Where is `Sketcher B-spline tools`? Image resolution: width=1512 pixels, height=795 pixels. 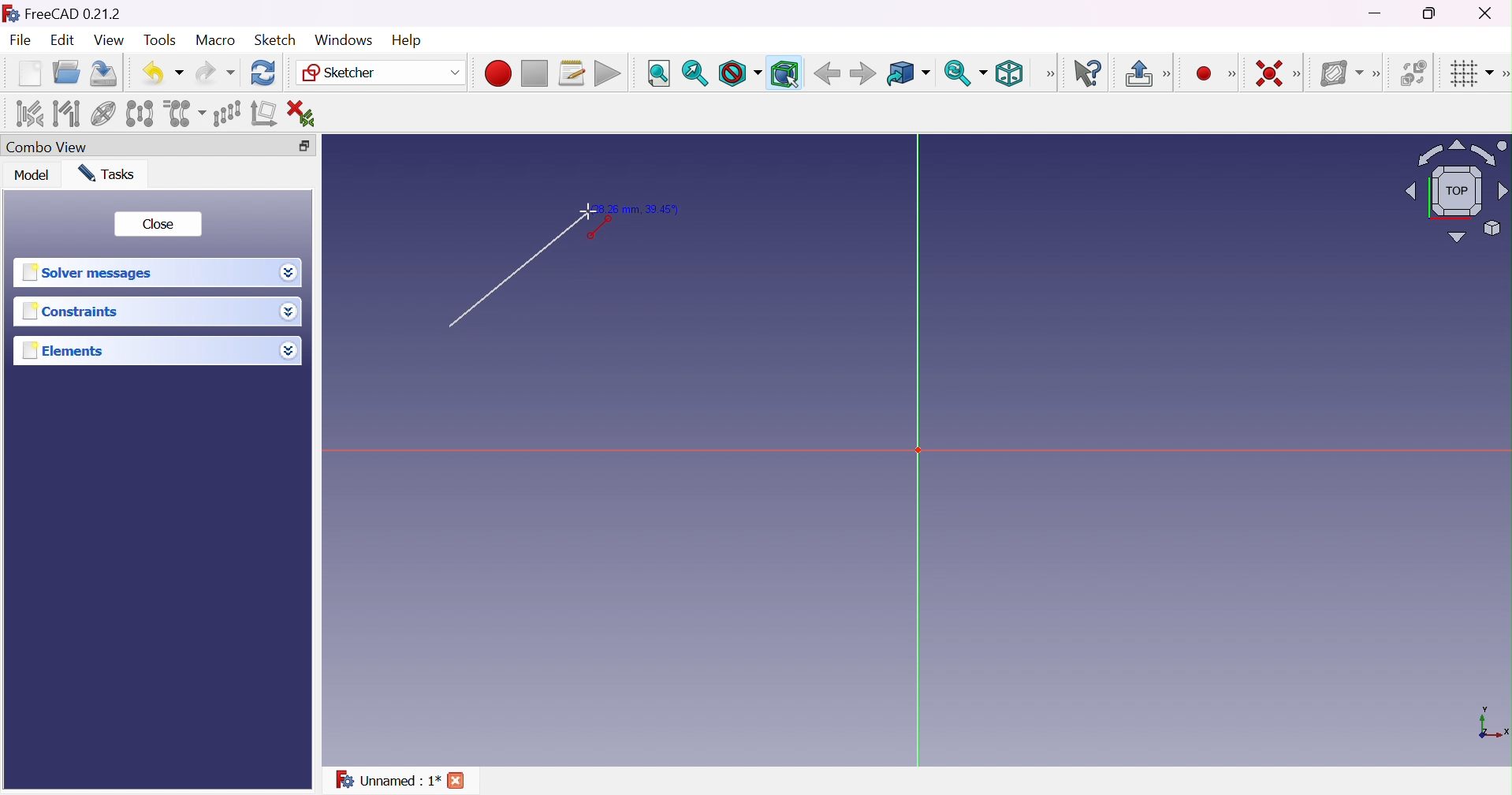 Sketcher B-spline tools is located at coordinates (1381, 76).